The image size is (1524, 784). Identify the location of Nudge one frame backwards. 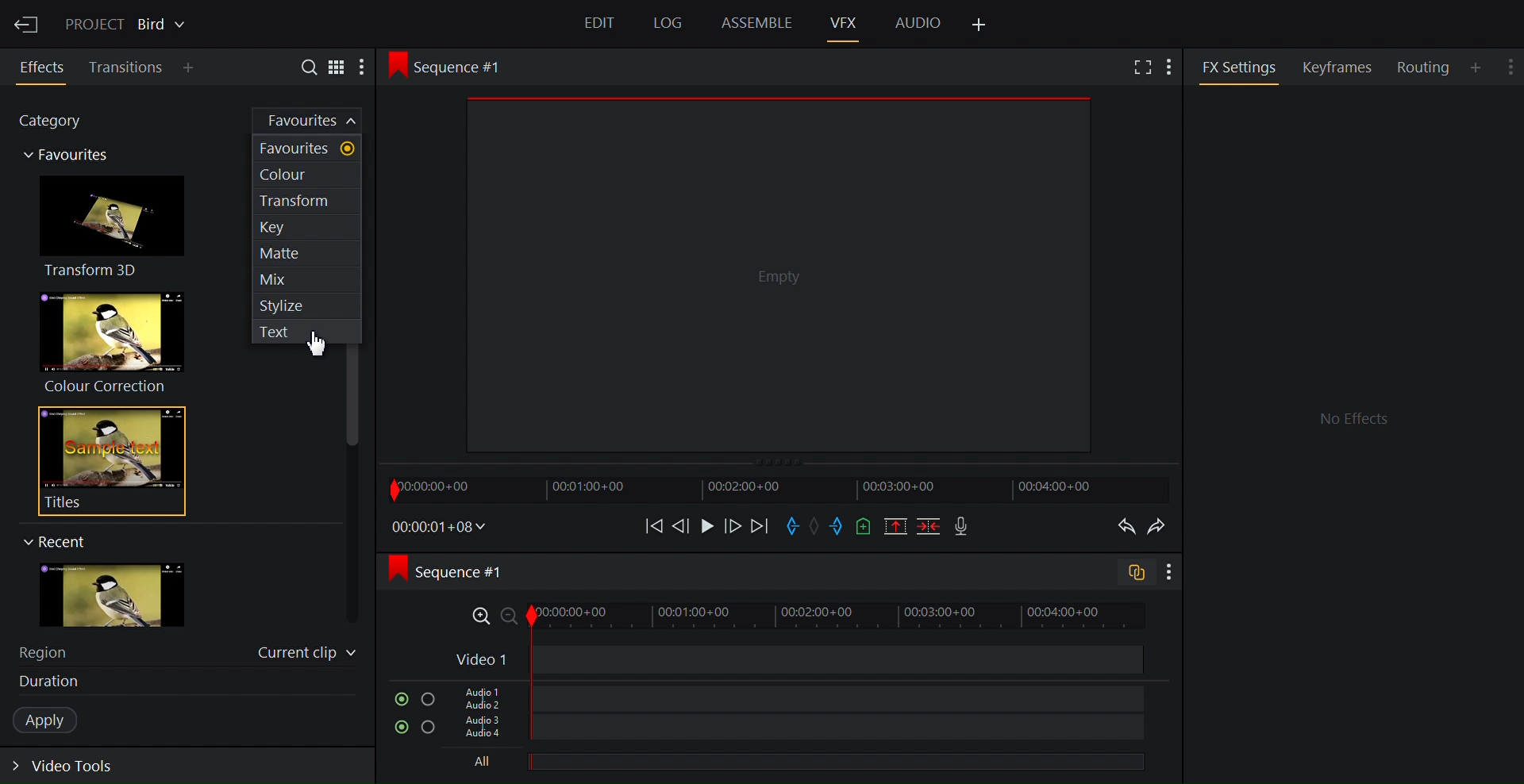
(682, 525).